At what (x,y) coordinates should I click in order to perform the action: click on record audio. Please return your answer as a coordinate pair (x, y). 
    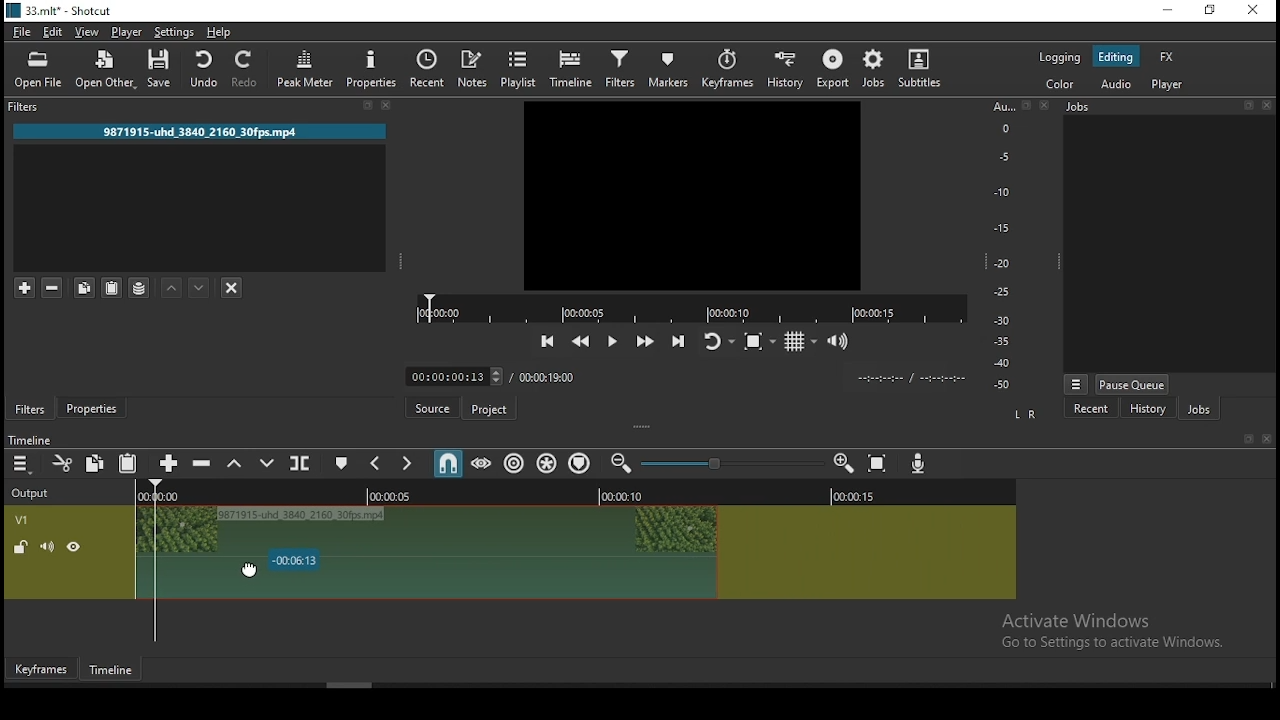
    Looking at the image, I should click on (922, 468).